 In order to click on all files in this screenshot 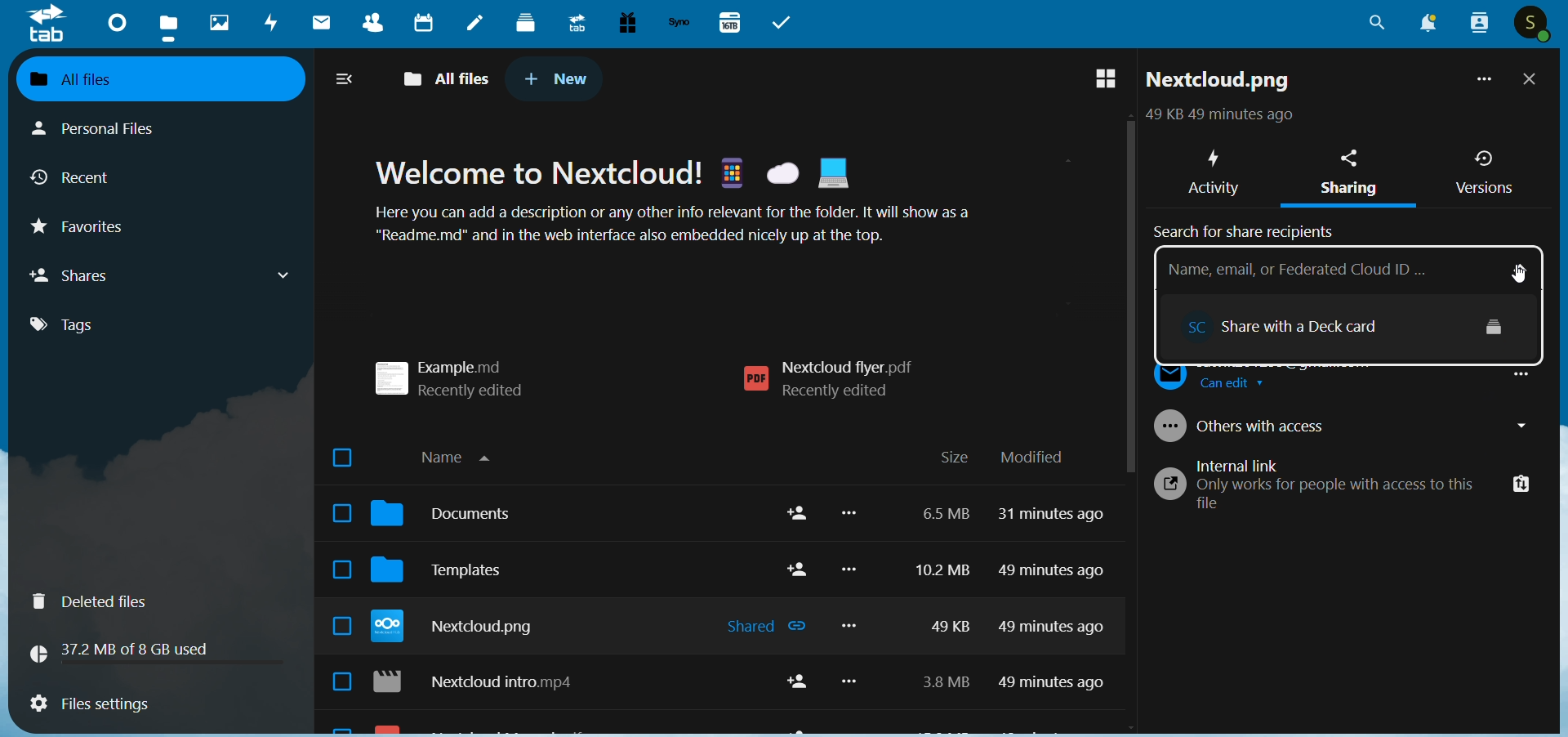, I will do `click(146, 78)`.